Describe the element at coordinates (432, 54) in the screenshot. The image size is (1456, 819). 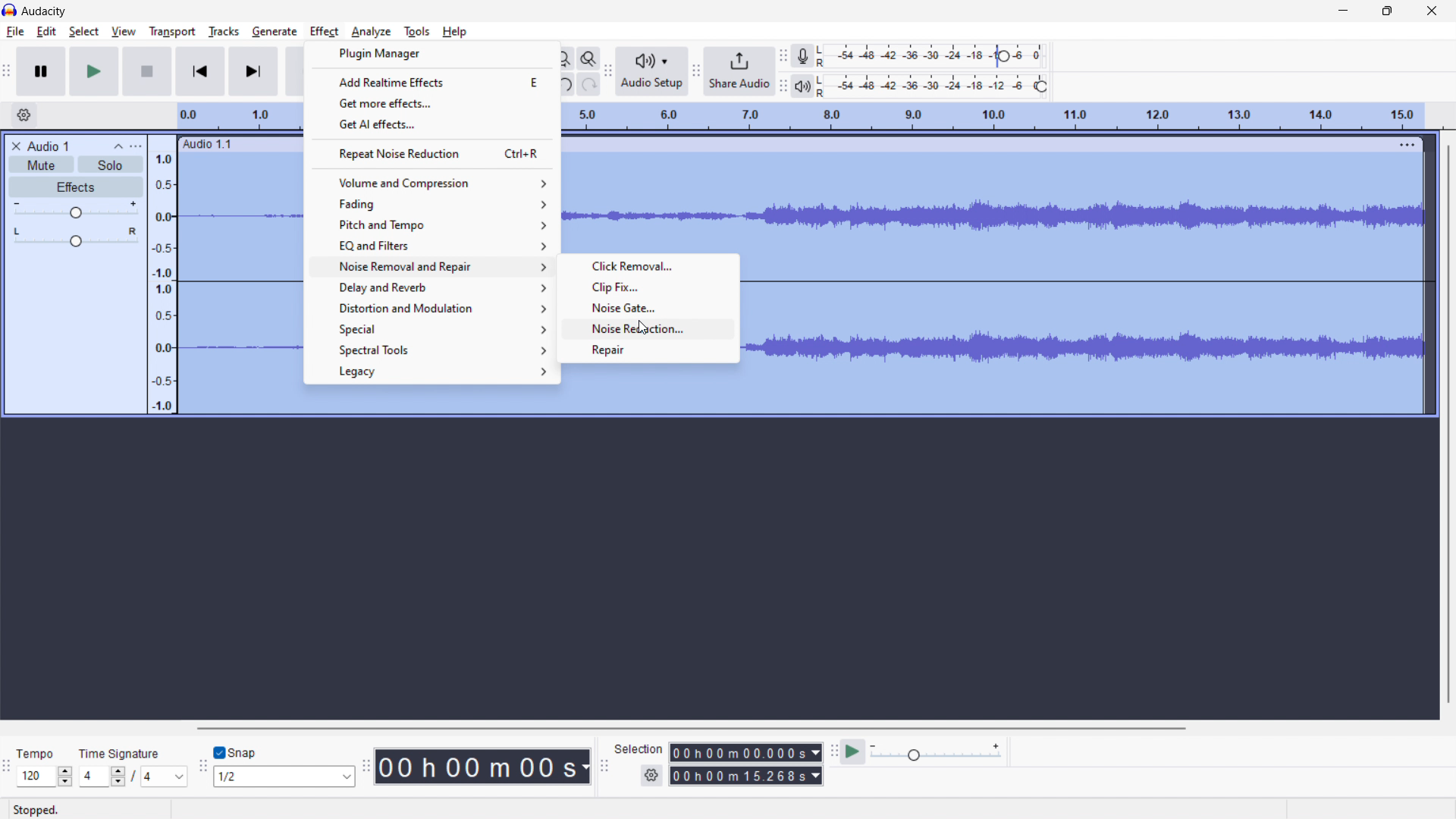
I see `plugin manager ` at that location.